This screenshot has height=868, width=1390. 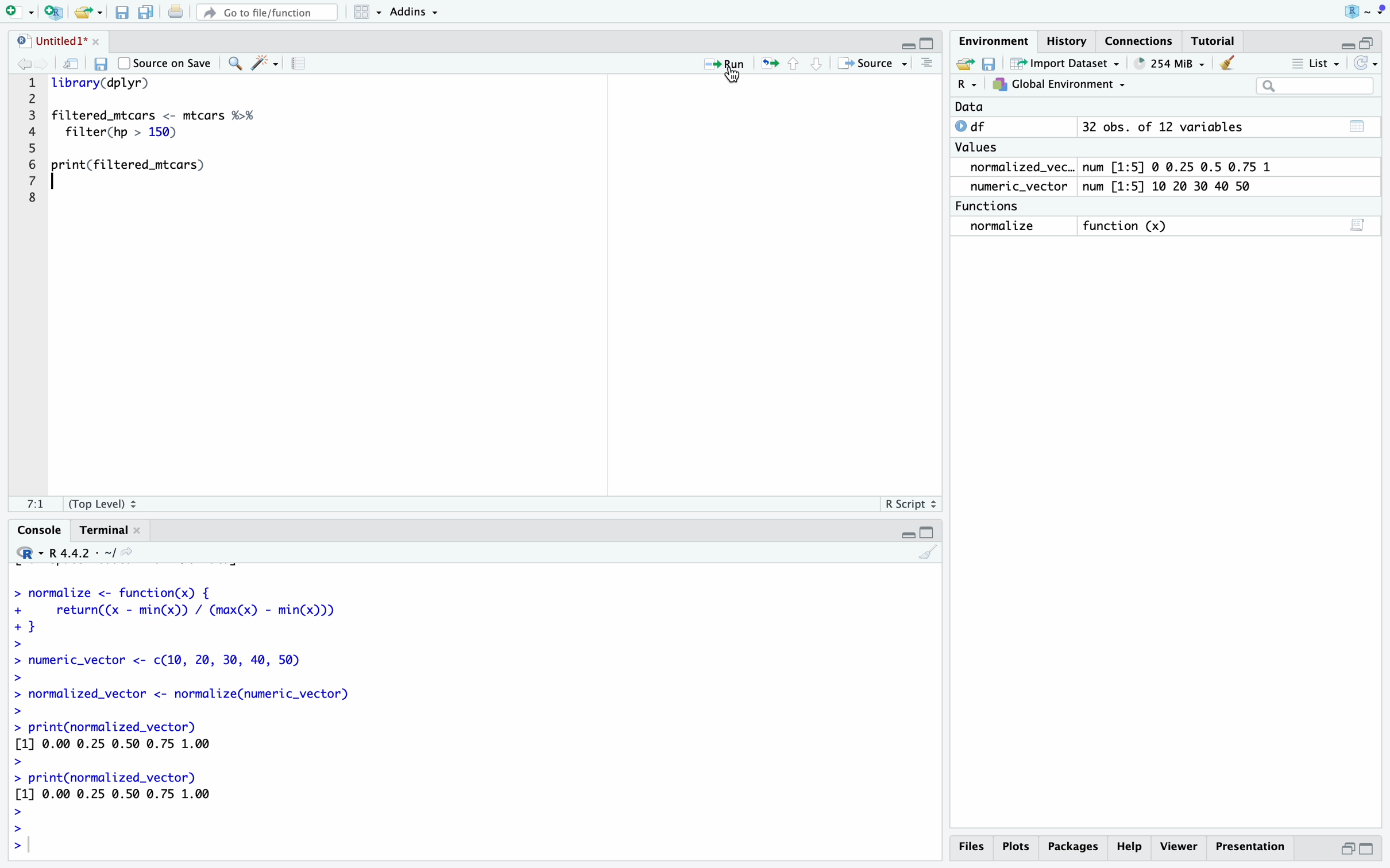 I want to click on R dropdown, so click(x=1368, y=11).